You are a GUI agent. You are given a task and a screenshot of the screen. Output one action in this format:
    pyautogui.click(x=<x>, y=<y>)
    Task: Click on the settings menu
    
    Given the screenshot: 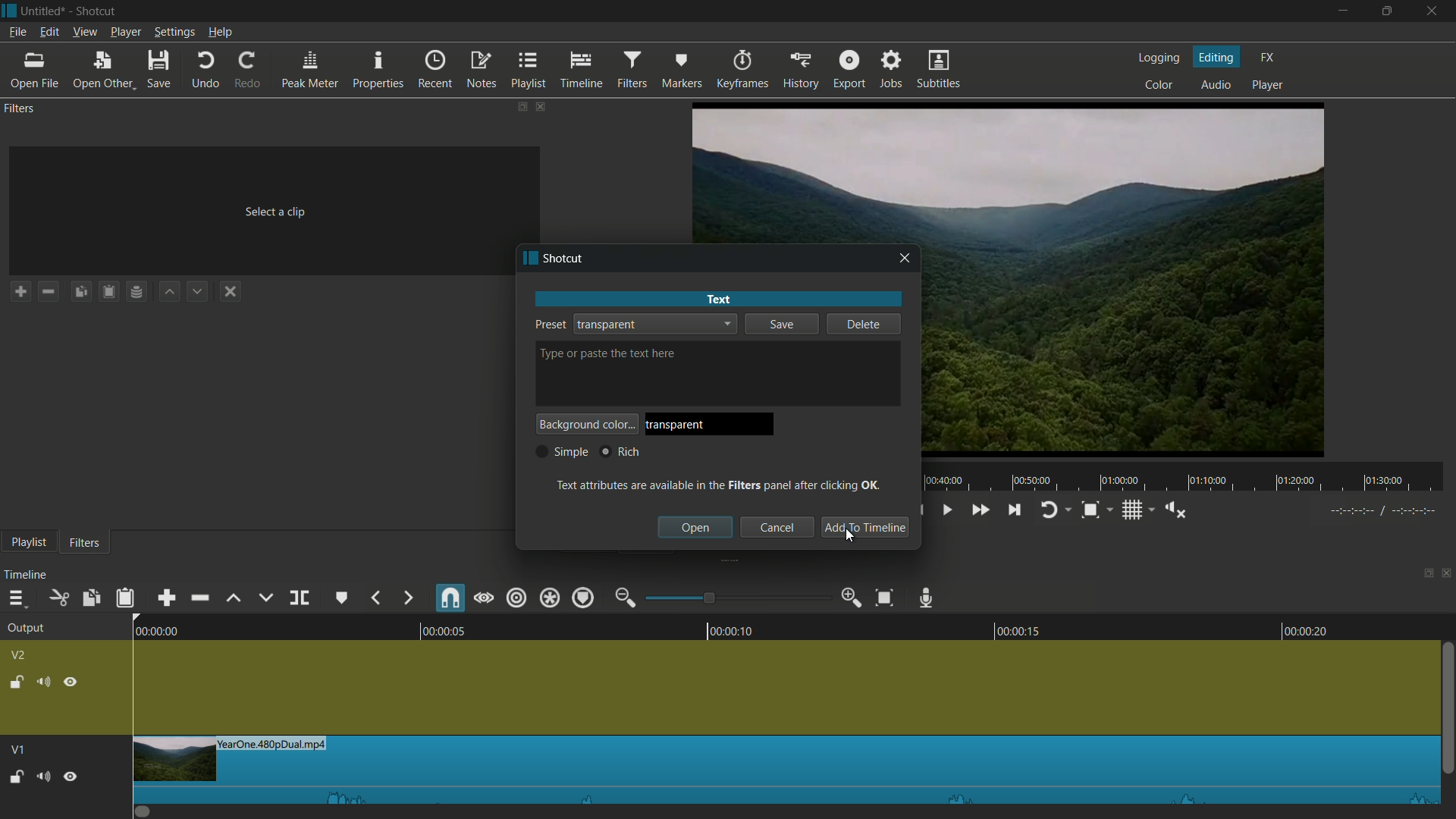 What is the action you would take?
    pyautogui.click(x=174, y=32)
    